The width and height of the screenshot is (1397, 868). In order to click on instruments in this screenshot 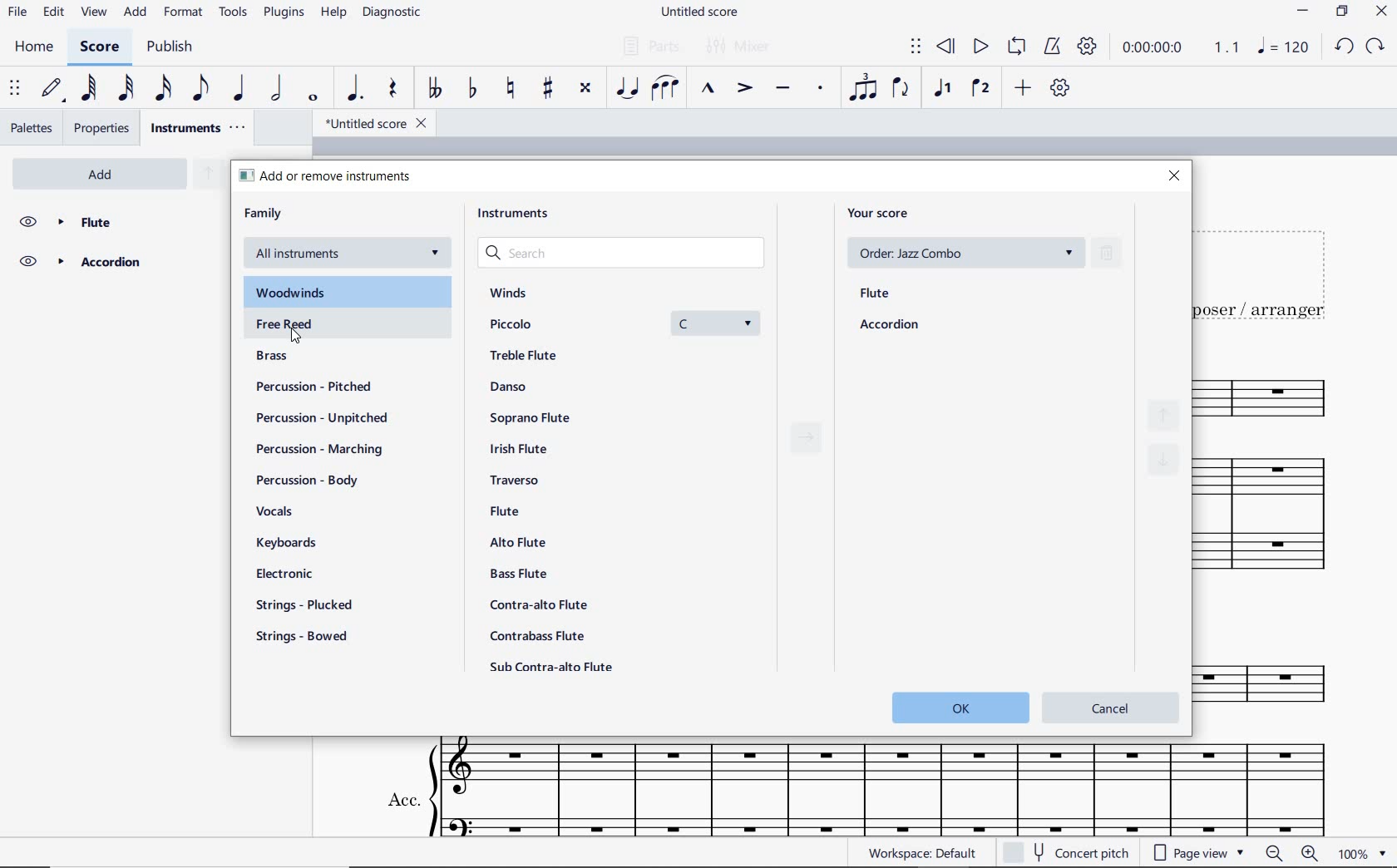, I will do `click(196, 128)`.